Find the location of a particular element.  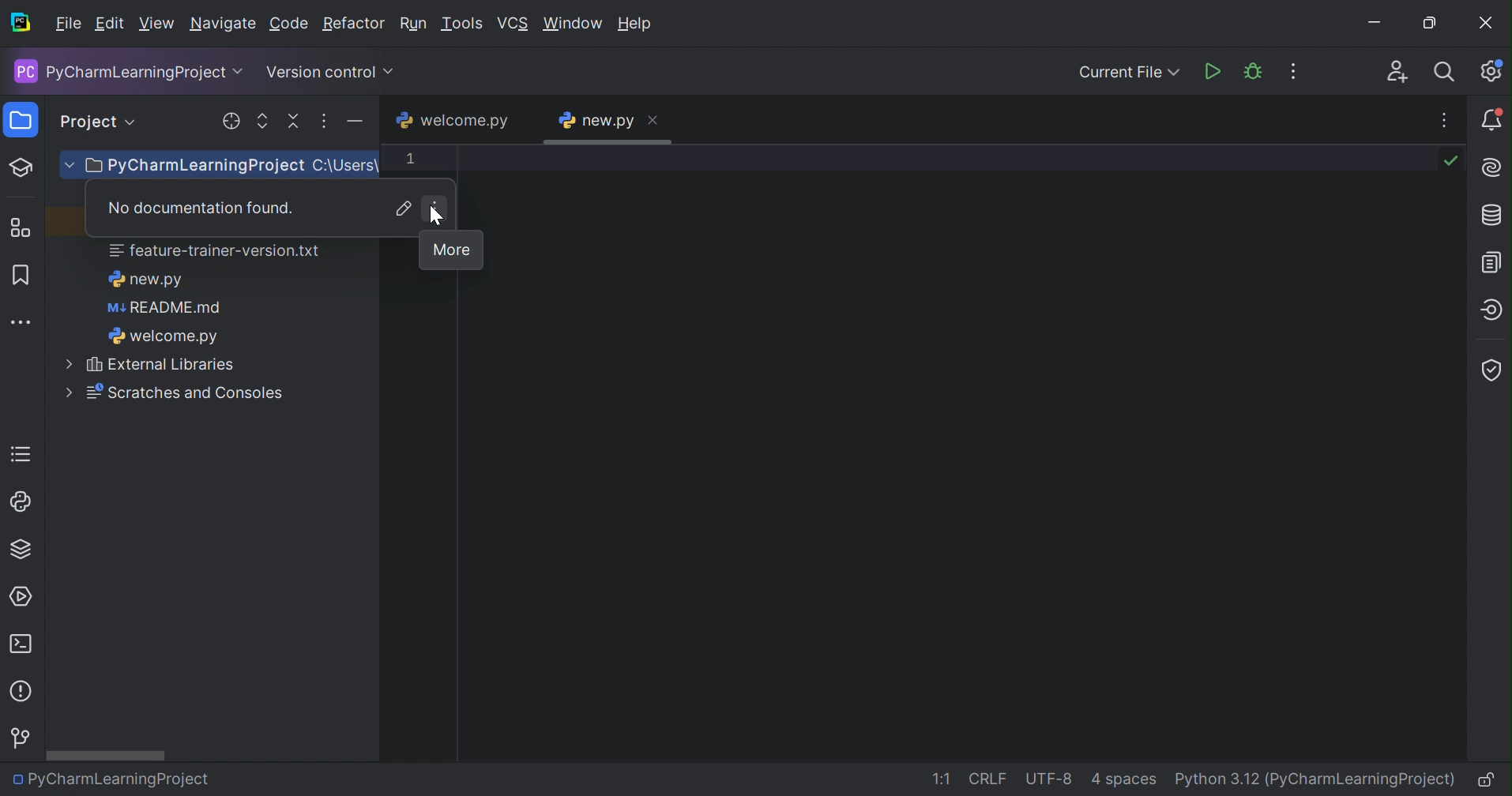

Drop down is located at coordinates (391, 72).